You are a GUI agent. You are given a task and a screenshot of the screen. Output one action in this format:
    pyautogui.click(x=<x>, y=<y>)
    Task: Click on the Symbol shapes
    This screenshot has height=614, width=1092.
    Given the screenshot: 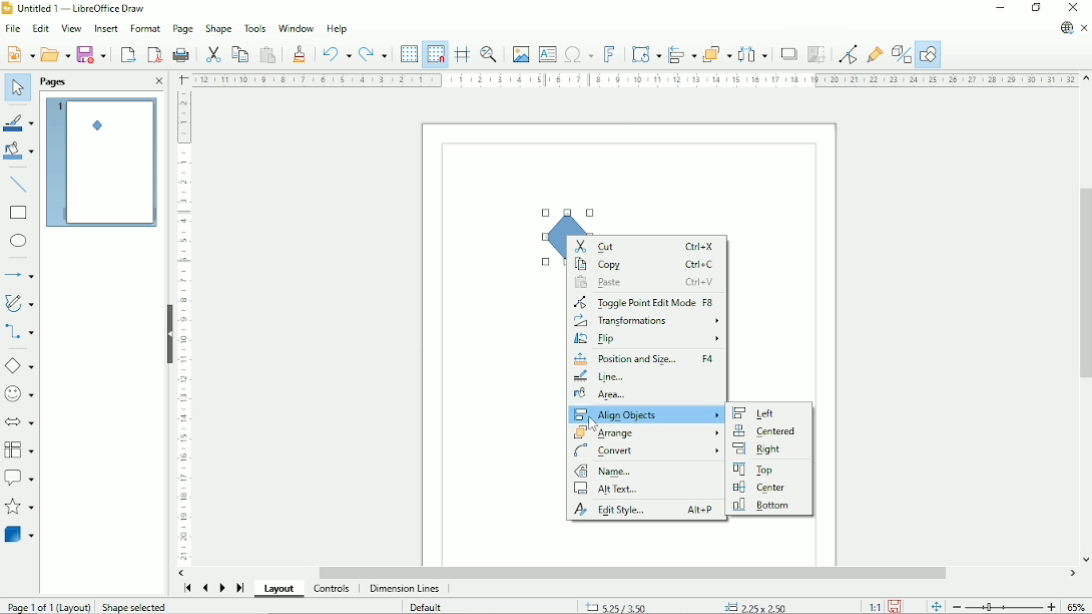 What is the action you would take?
    pyautogui.click(x=20, y=393)
    